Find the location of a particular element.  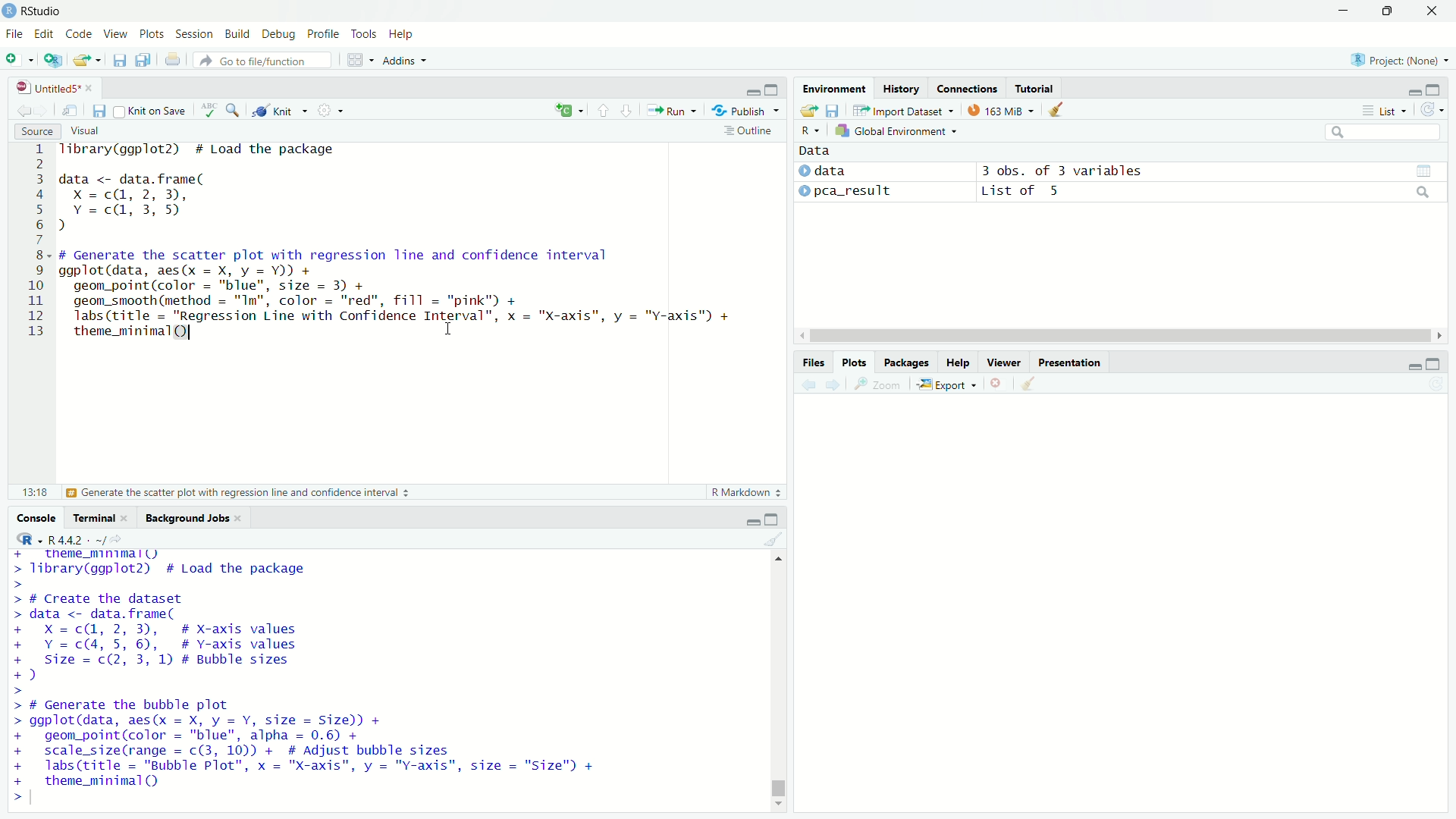

Outline is located at coordinates (750, 130).